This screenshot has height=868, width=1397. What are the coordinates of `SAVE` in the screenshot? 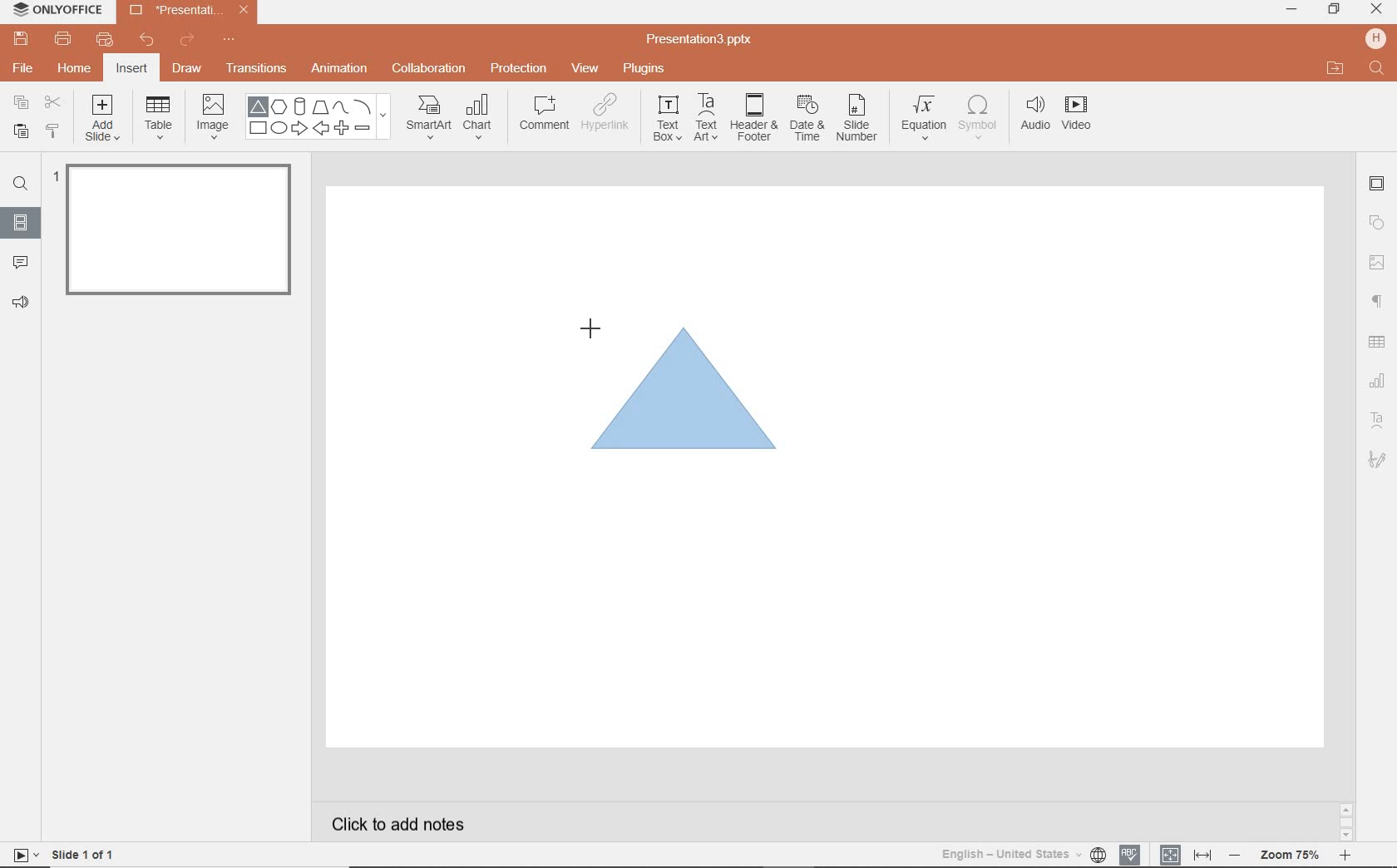 It's located at (23, 37).